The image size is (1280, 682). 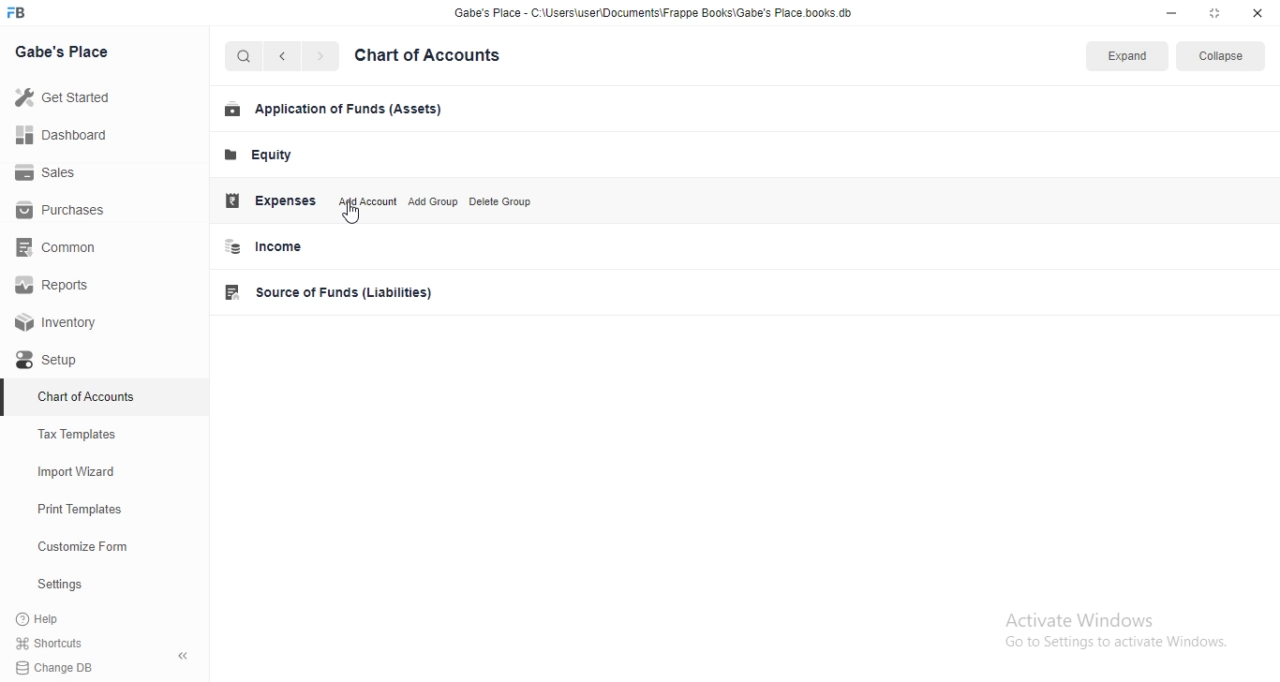 What do you see at coordinates (1113, 638) in the screenshot?
I see `Activate Windows
Go to Settings to activate Windows.` at bounding box center [1113, 638].